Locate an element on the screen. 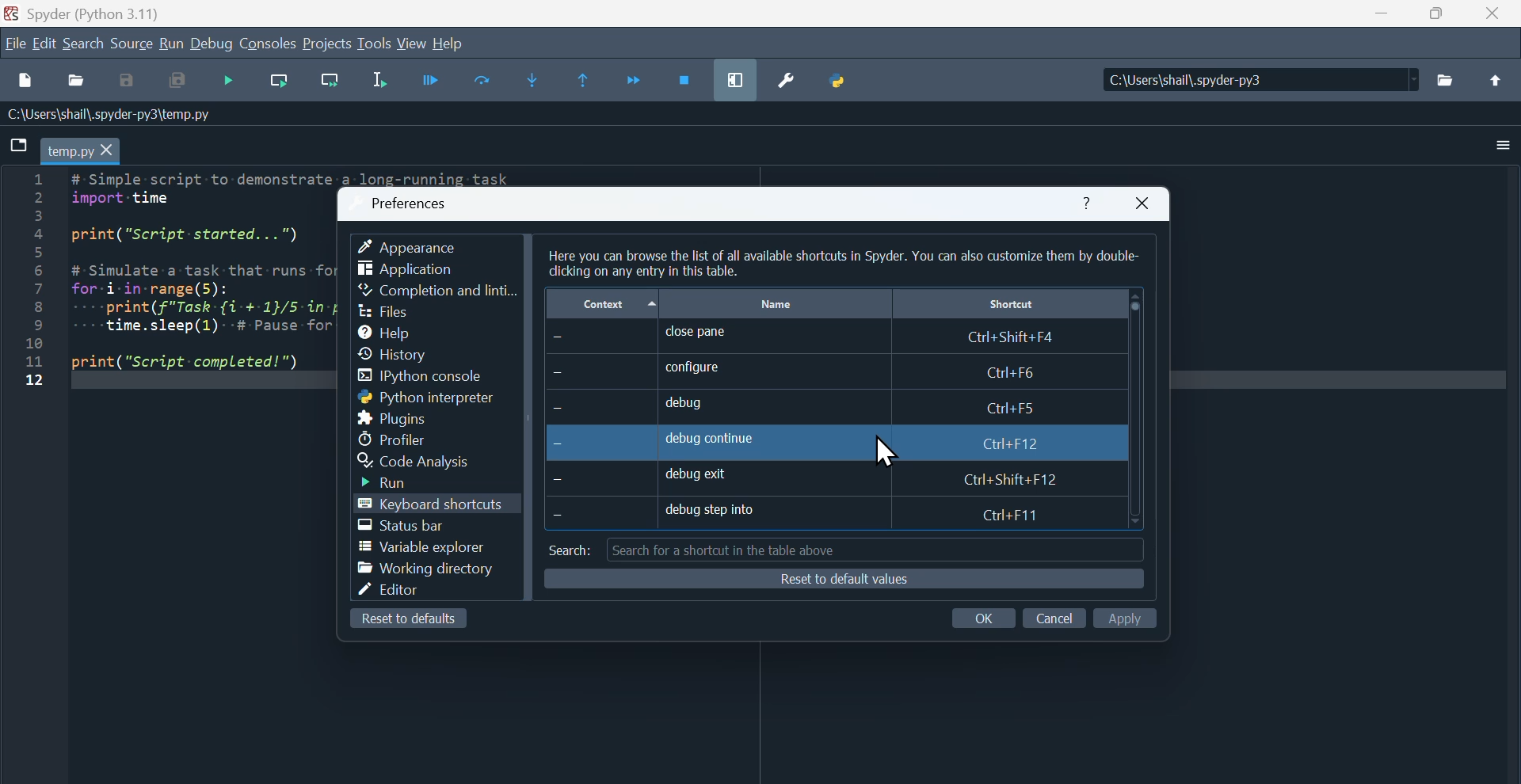 The height and width of the screenshot is (784, 1521). Location of the file is located at coordinates (1261, 76).